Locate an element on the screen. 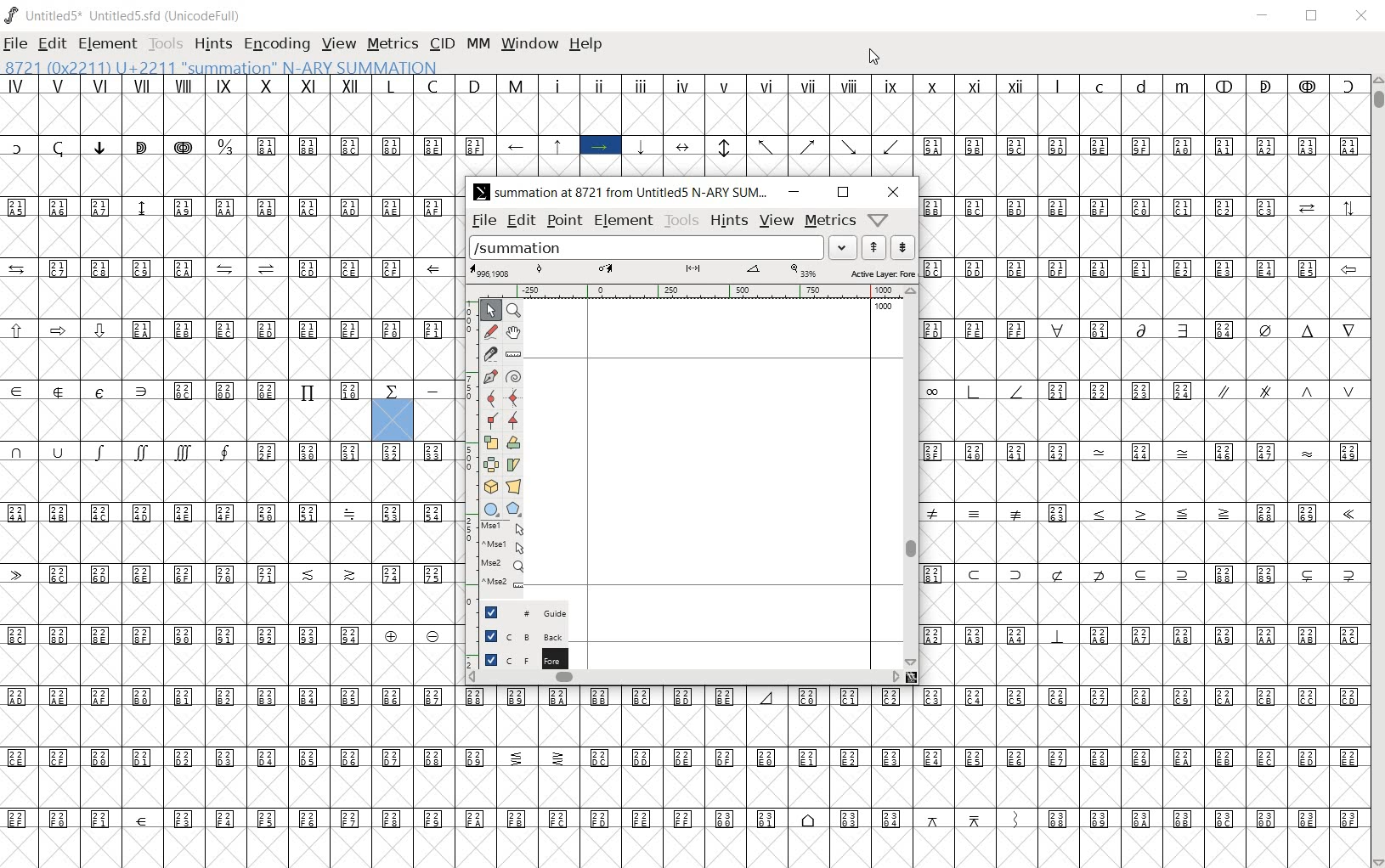 This screenshot has height=868, width=1385. Rotate the selection is located at coordinates (513, 465).